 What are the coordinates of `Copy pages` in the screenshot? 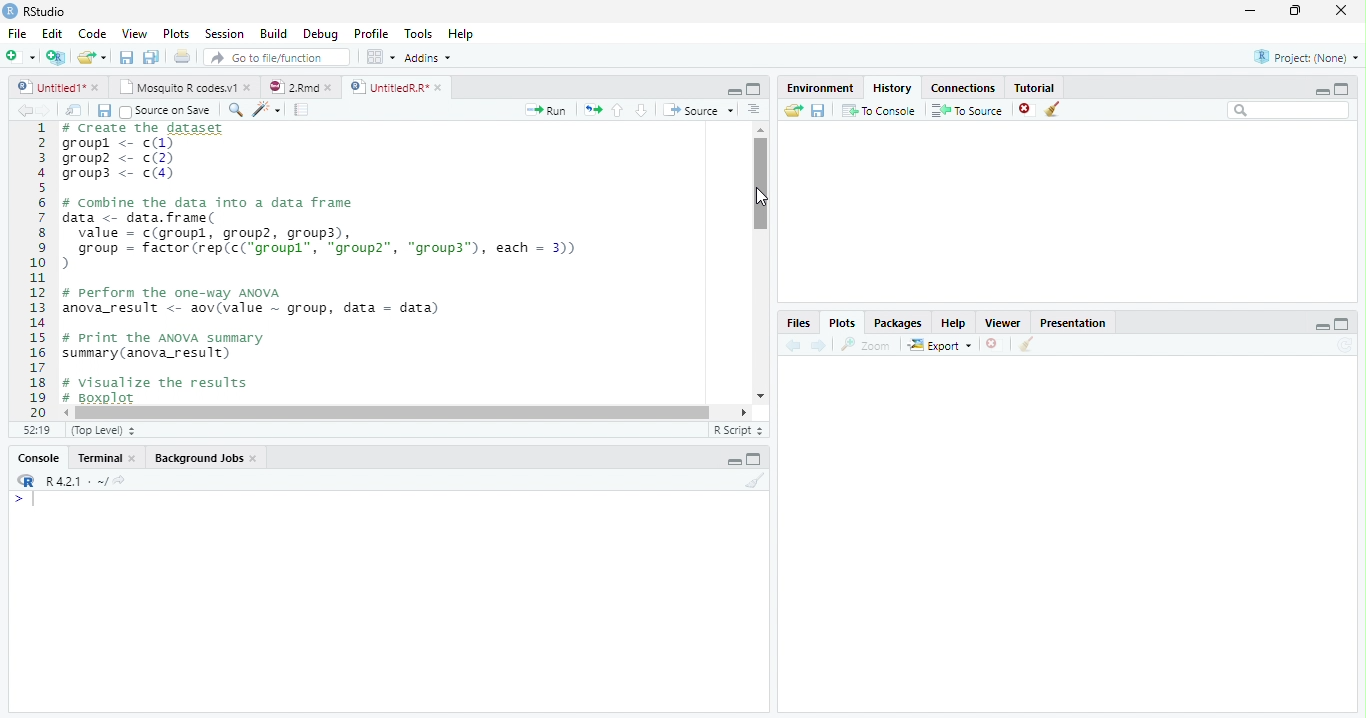 It's located at (590, 109).